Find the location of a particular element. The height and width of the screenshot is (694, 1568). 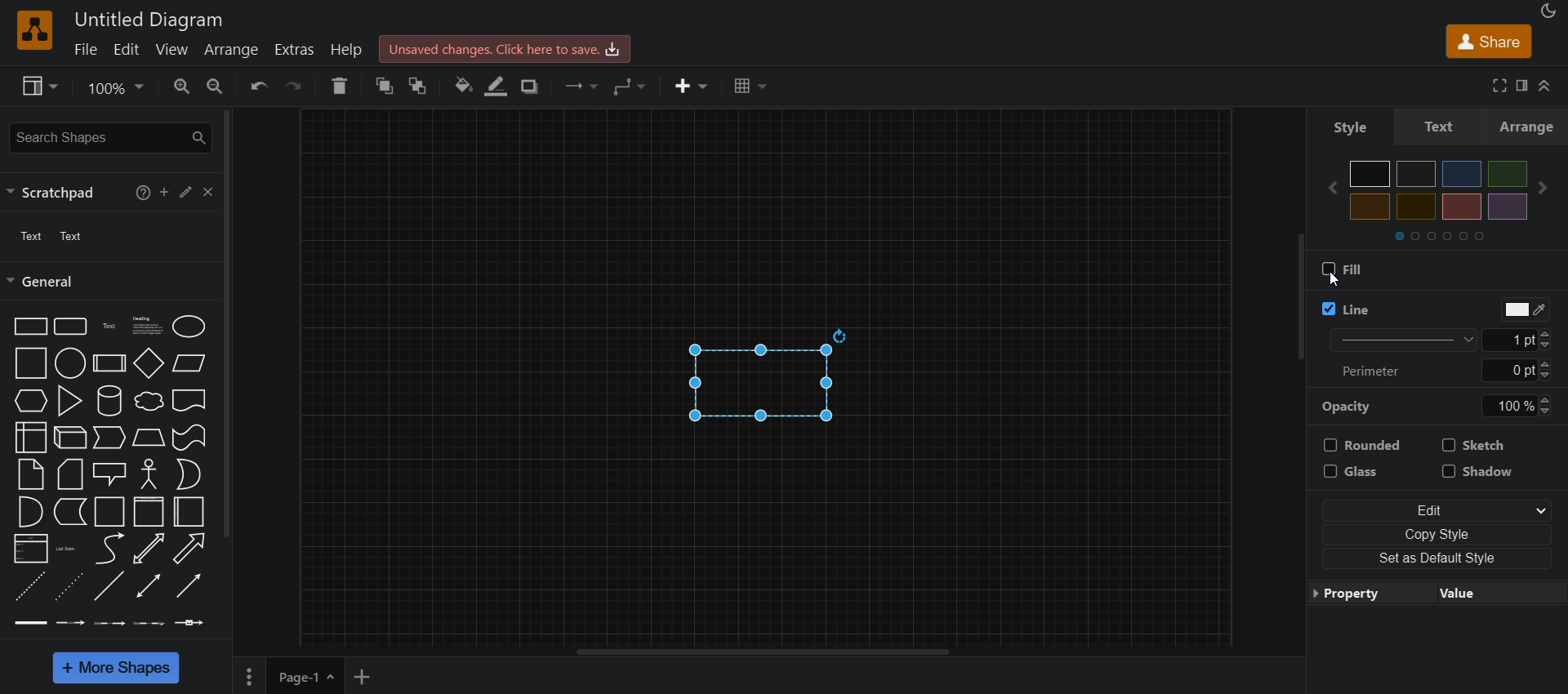

dotted line is located at coordinates (67, 589).